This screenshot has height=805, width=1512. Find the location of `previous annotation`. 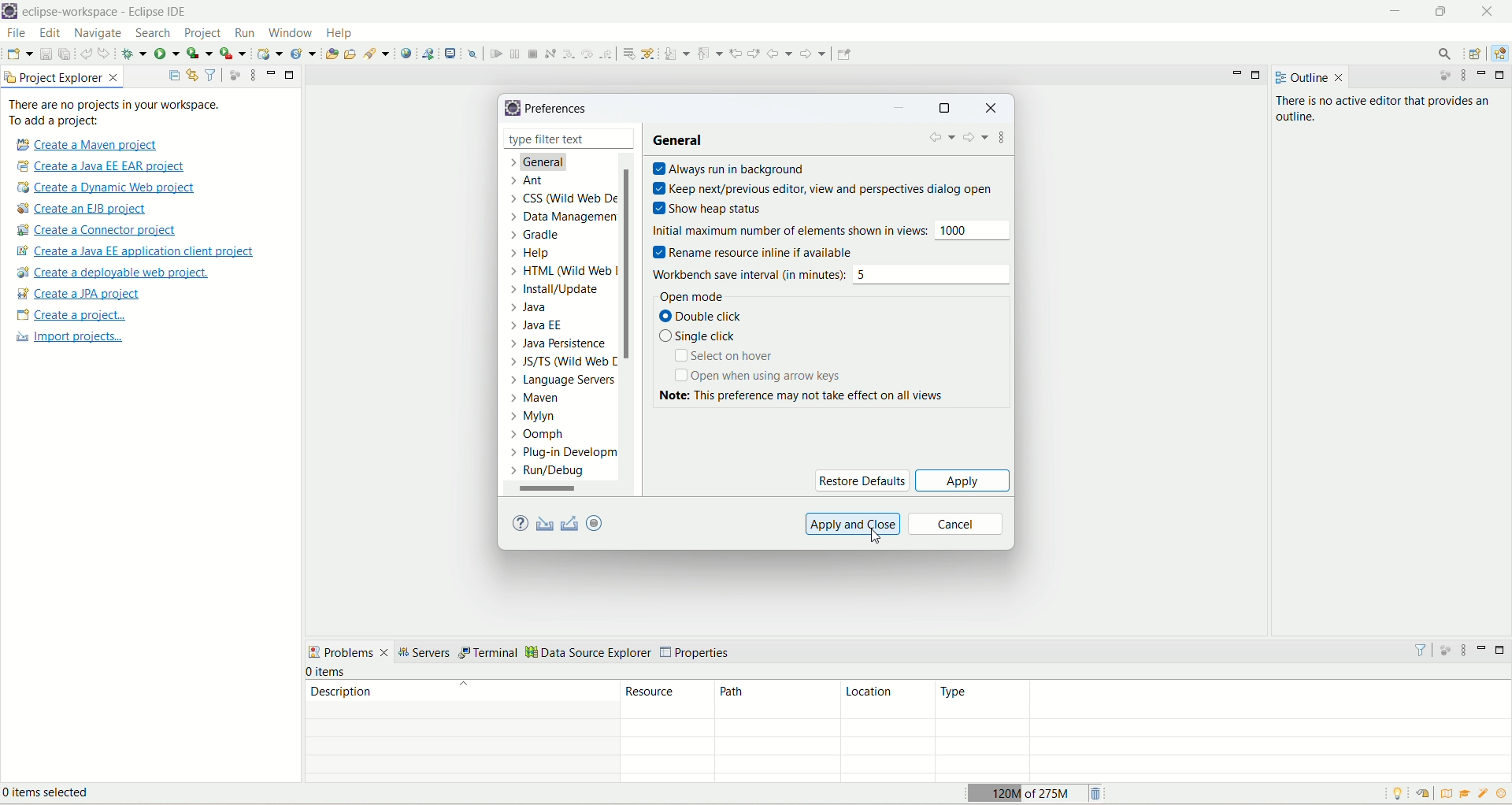

previous annotation is located at coordinates (710, 53).